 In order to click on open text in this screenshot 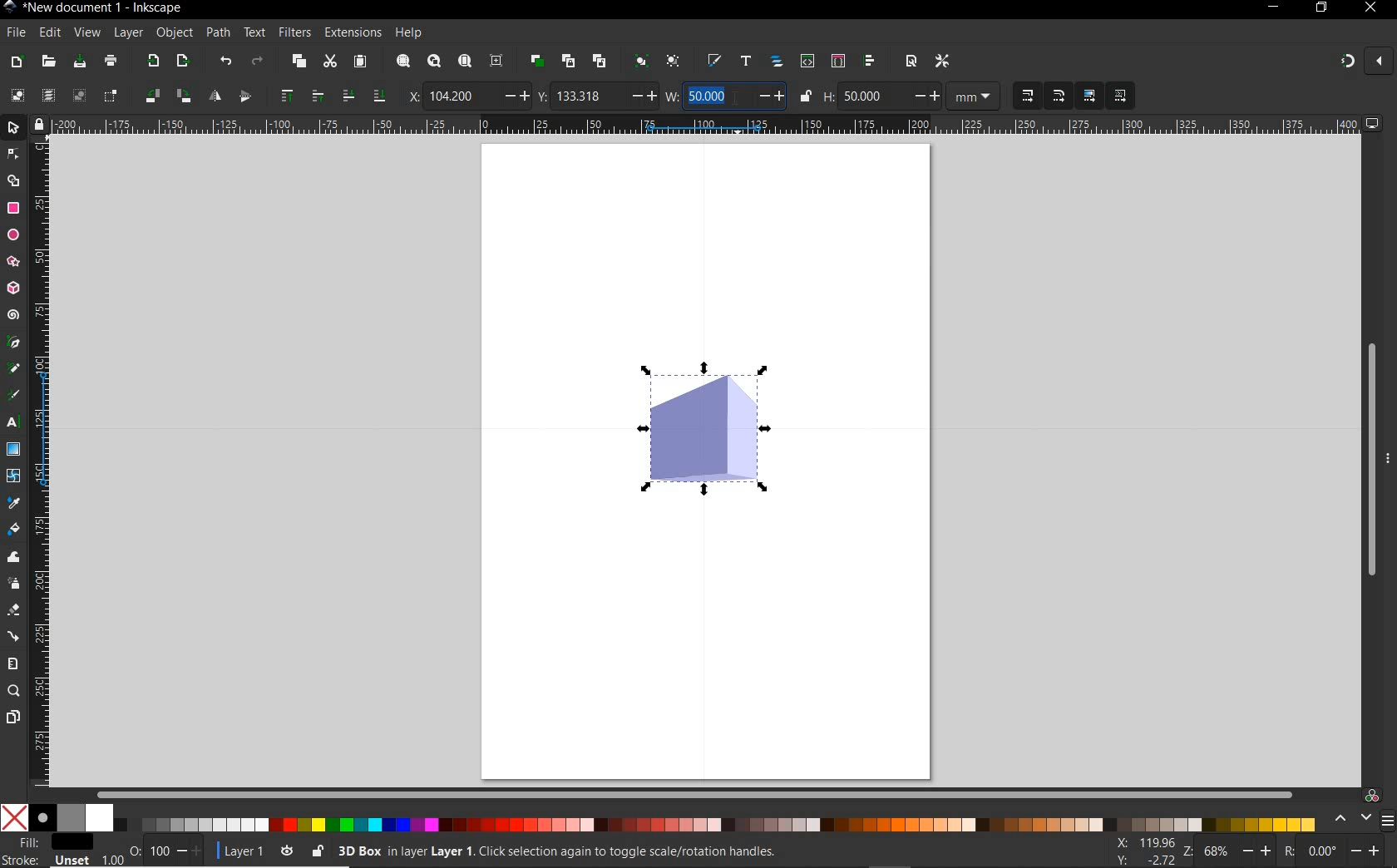, I will do `click(745, 62)`.